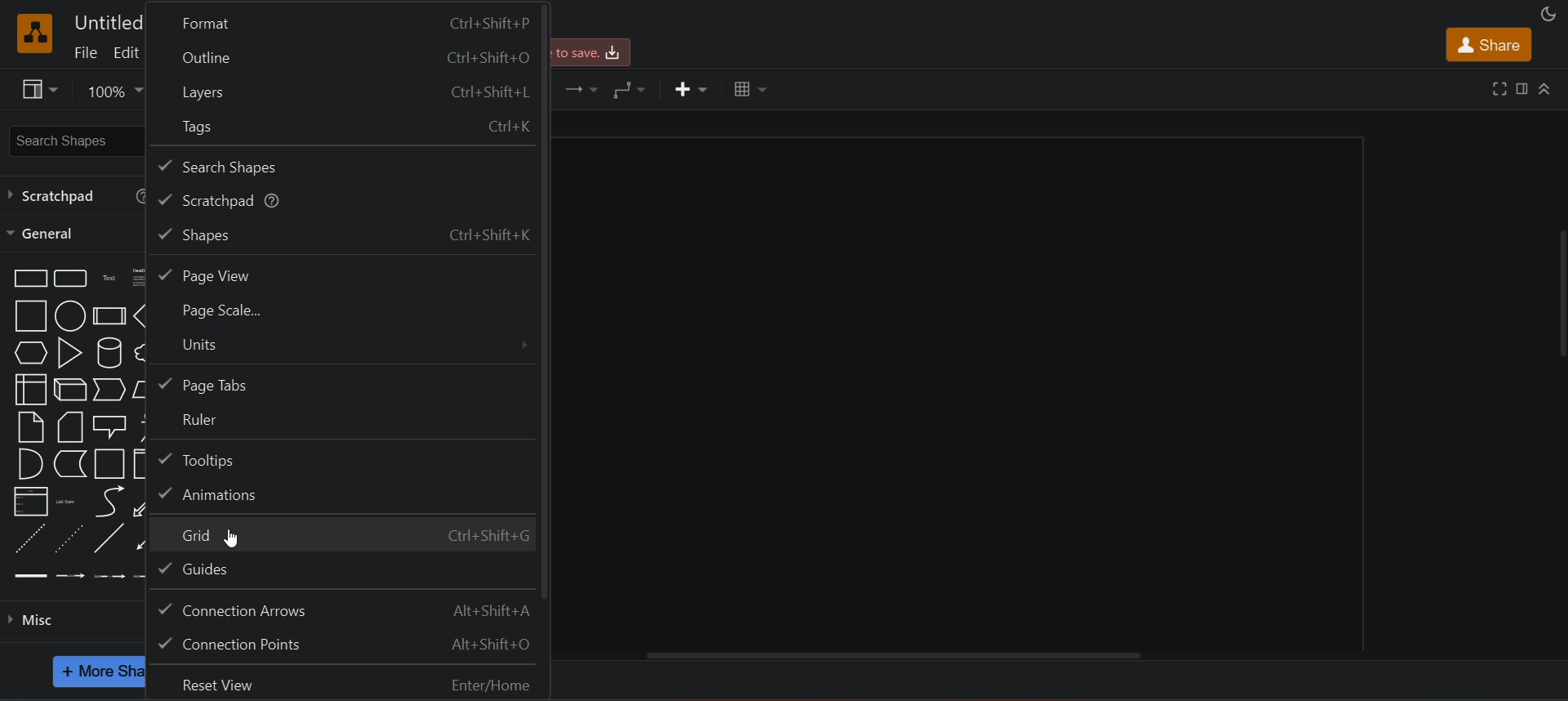 Image resolution: width=1568 pixels, height=701 pixels. What do you see at coordinates (747, 90) in the screenshot?
I see `table` at bounding box center [747, 90].